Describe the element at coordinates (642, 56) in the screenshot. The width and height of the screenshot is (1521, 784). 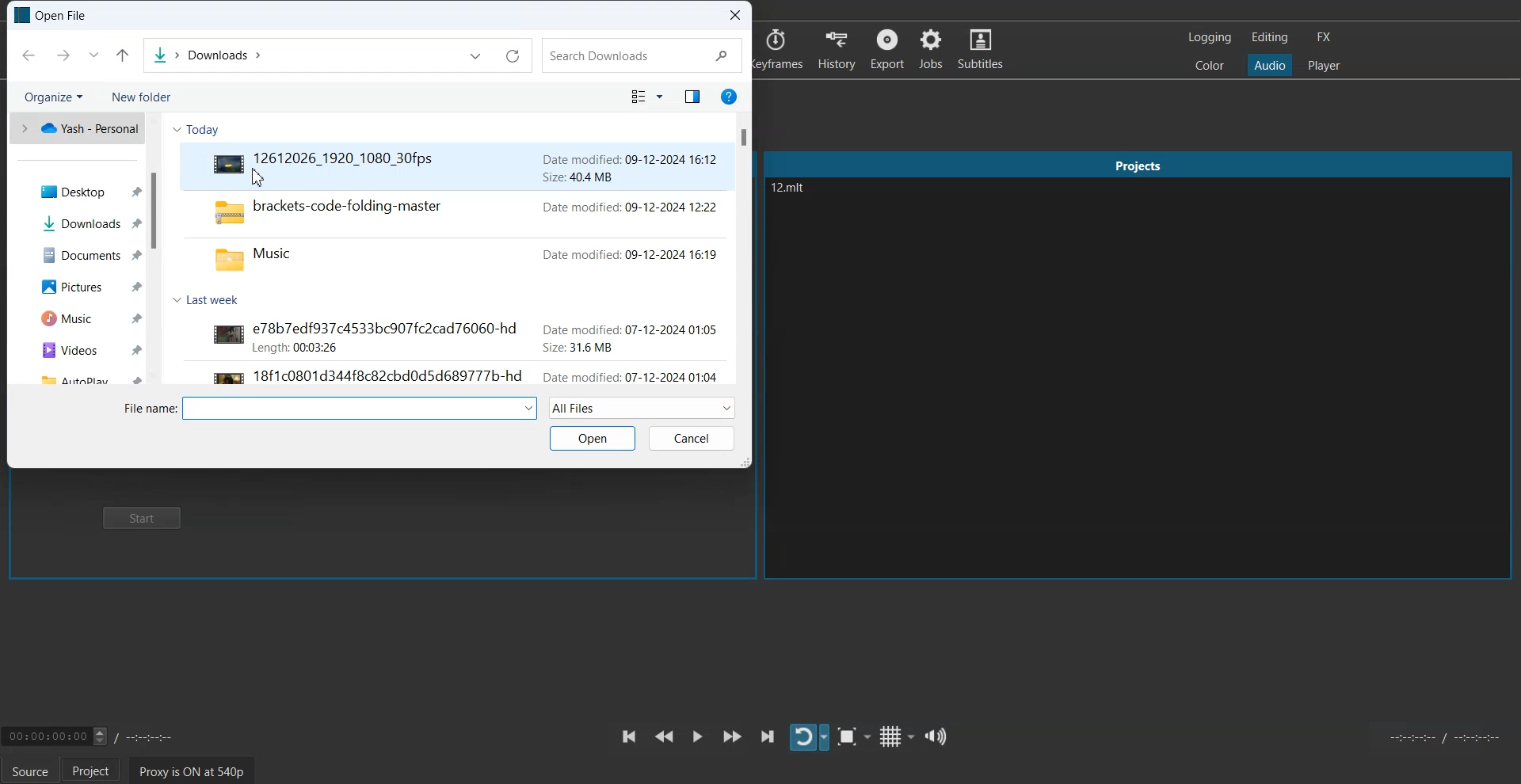
I see `Search bar` at that location.